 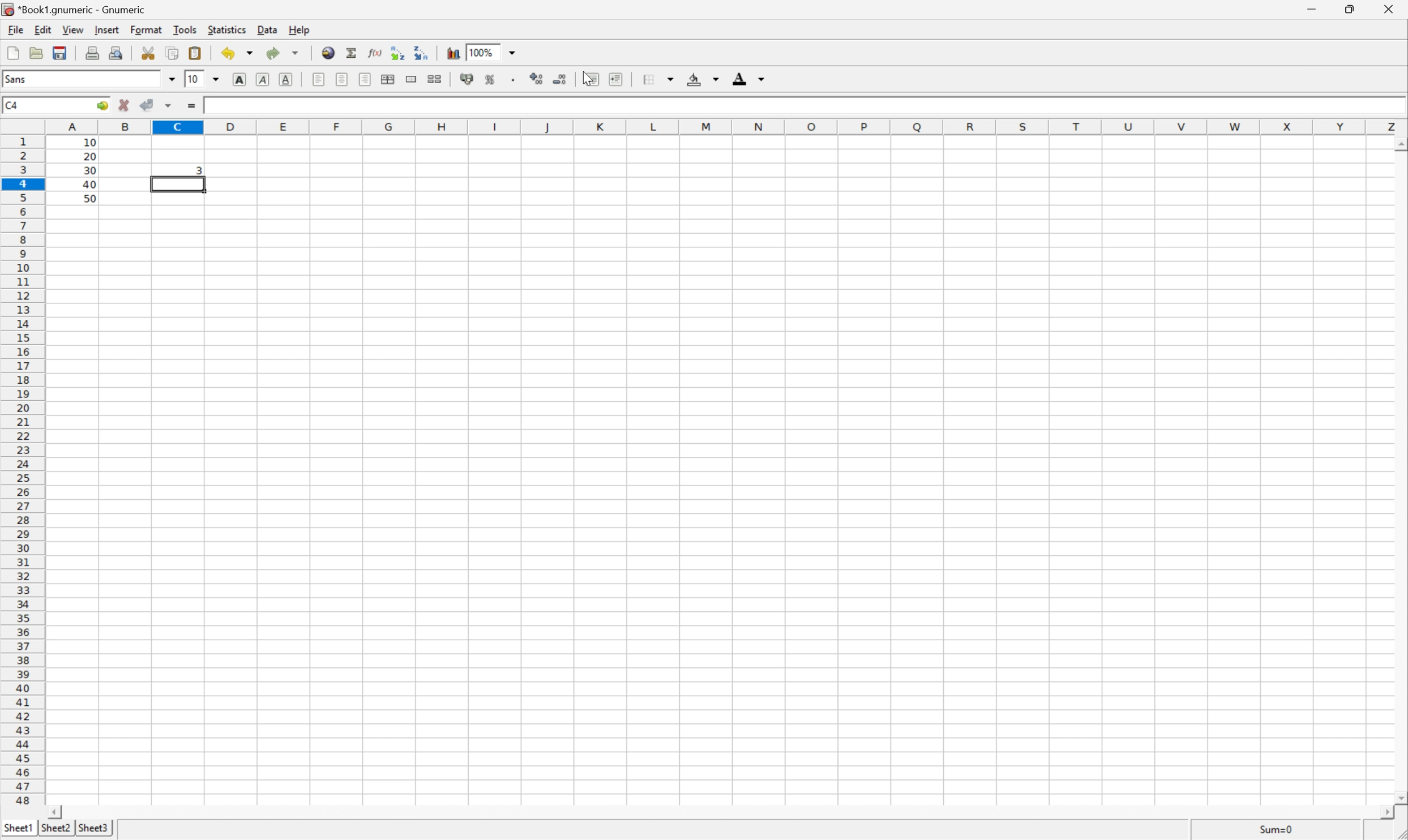 What do you see at coordinates (253, 54) in the screenshot?
I see `Drop down` at bounding box center [253, 54].